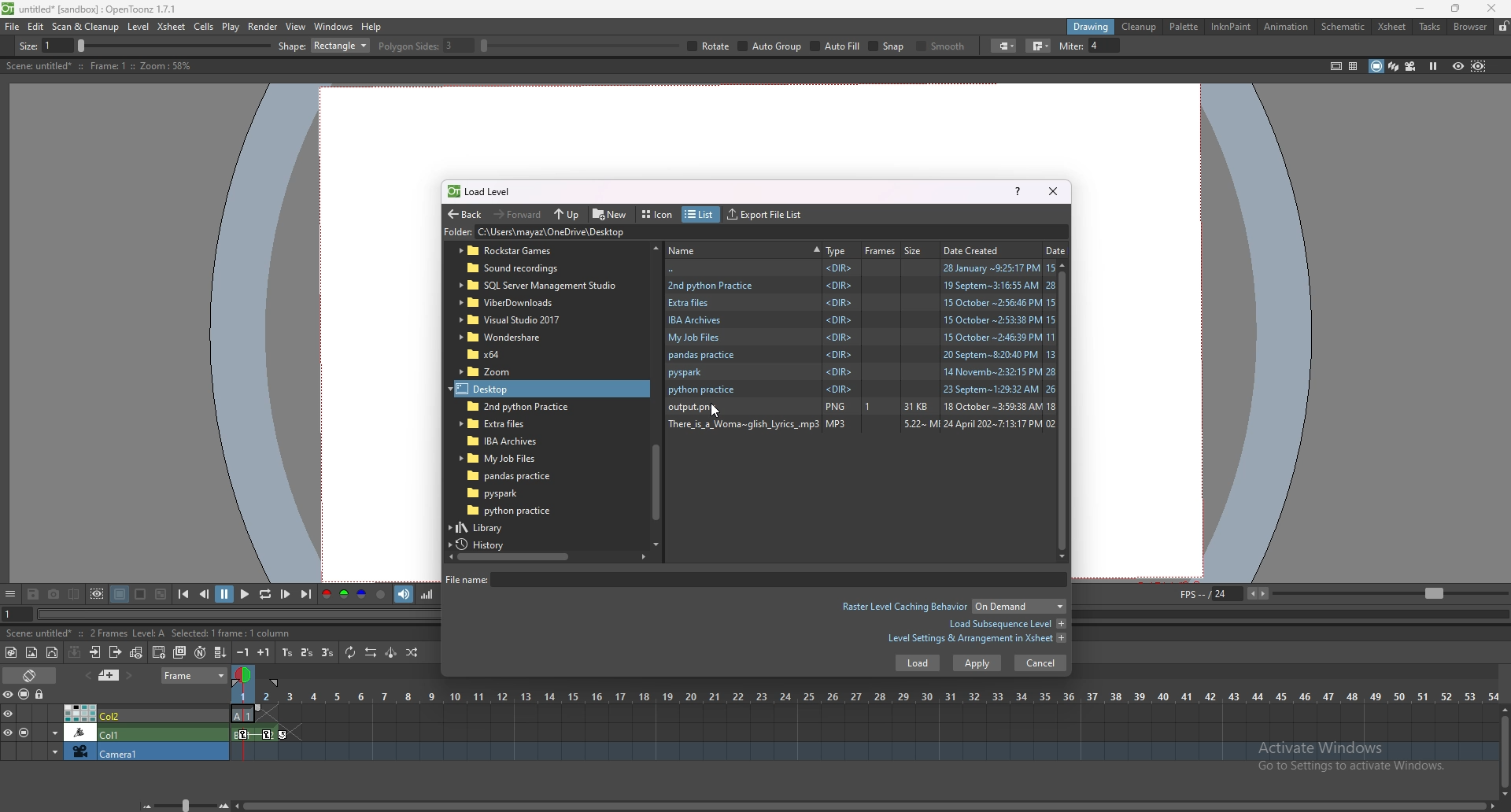  What do you see at coordinates (305, 594) in the screenshot?
I see `last frame` at bounding box center [305, 594].